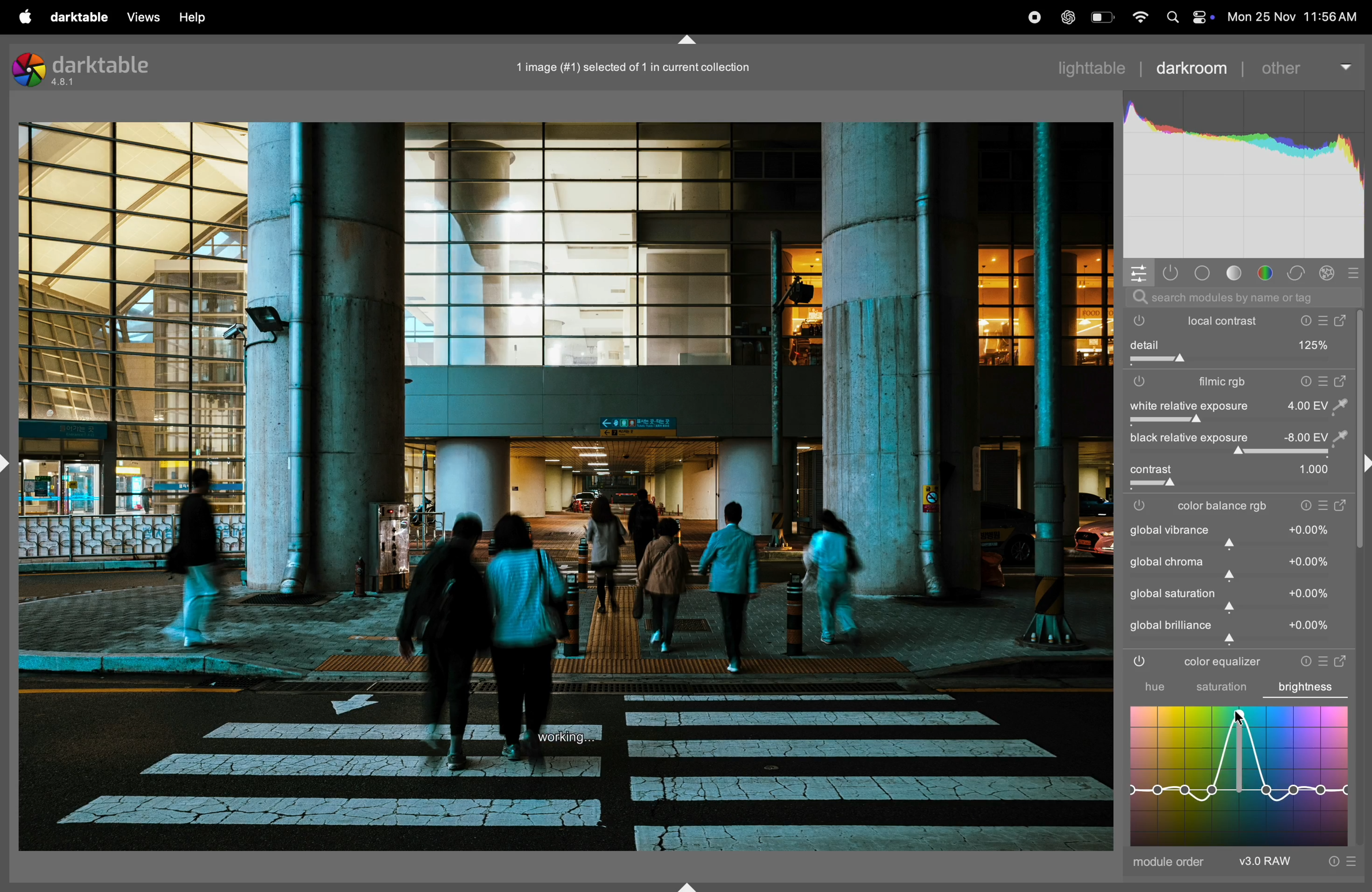  What do you see at coordinates (103, 63) in the screenshot?
I see `darktable` at bounding box center [103, 63].